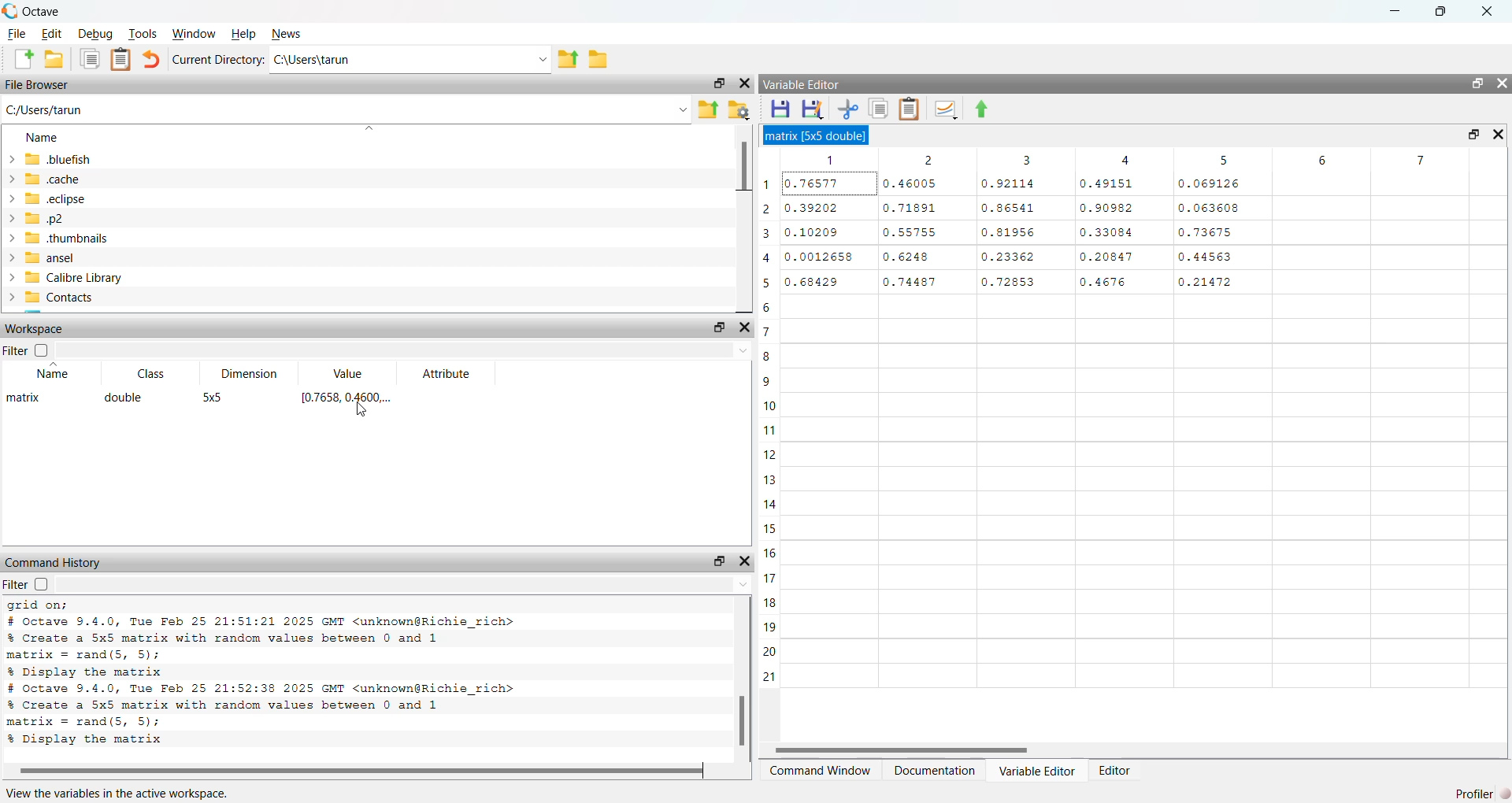 This screenshot has width=1512, height=803. I want to click on save as, so click(815, 109).